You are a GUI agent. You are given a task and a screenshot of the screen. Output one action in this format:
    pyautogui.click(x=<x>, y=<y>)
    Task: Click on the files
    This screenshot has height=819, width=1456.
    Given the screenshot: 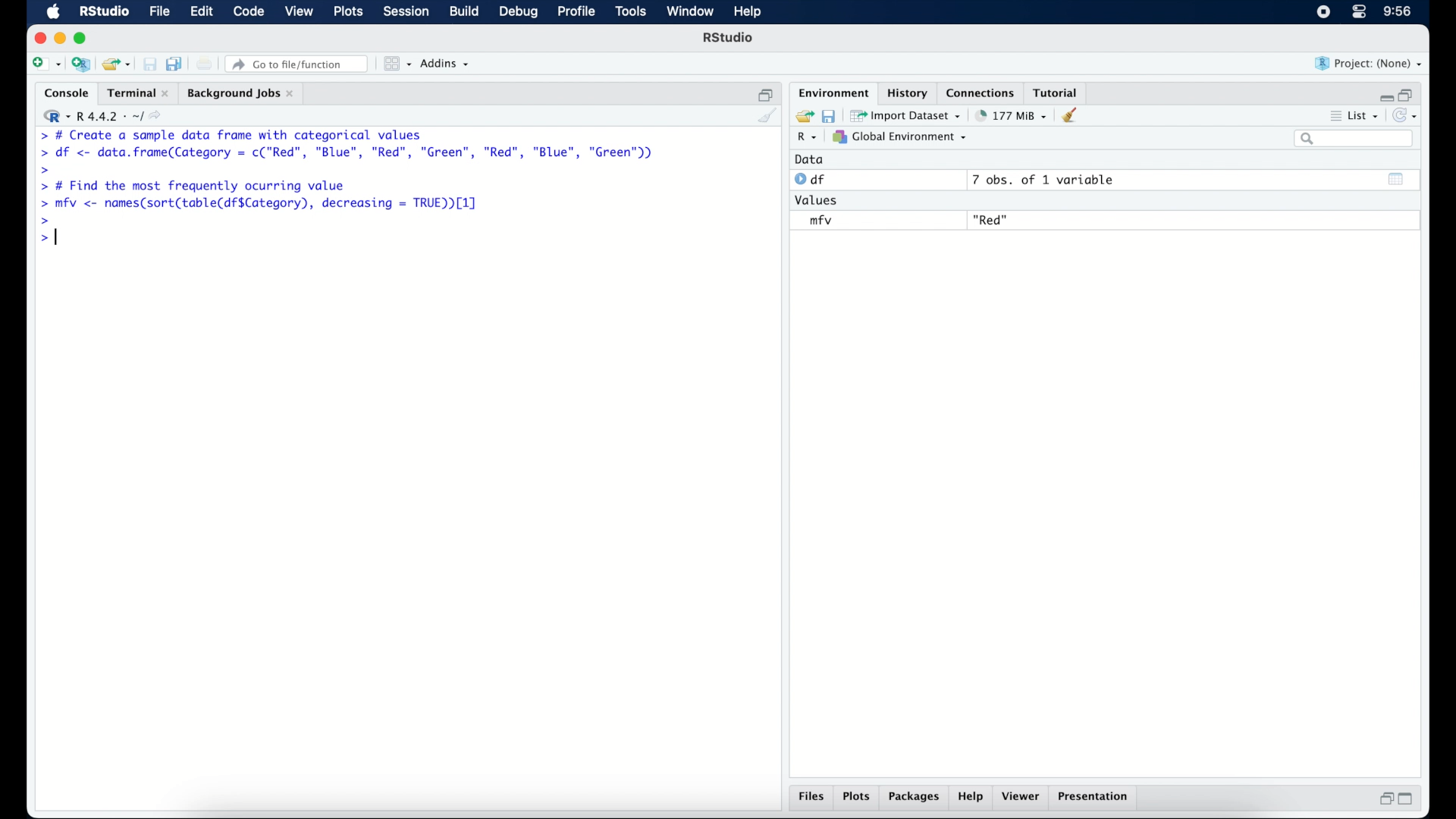 What is the action you would take?
    pyautogui.click(x=810, y=798)
    